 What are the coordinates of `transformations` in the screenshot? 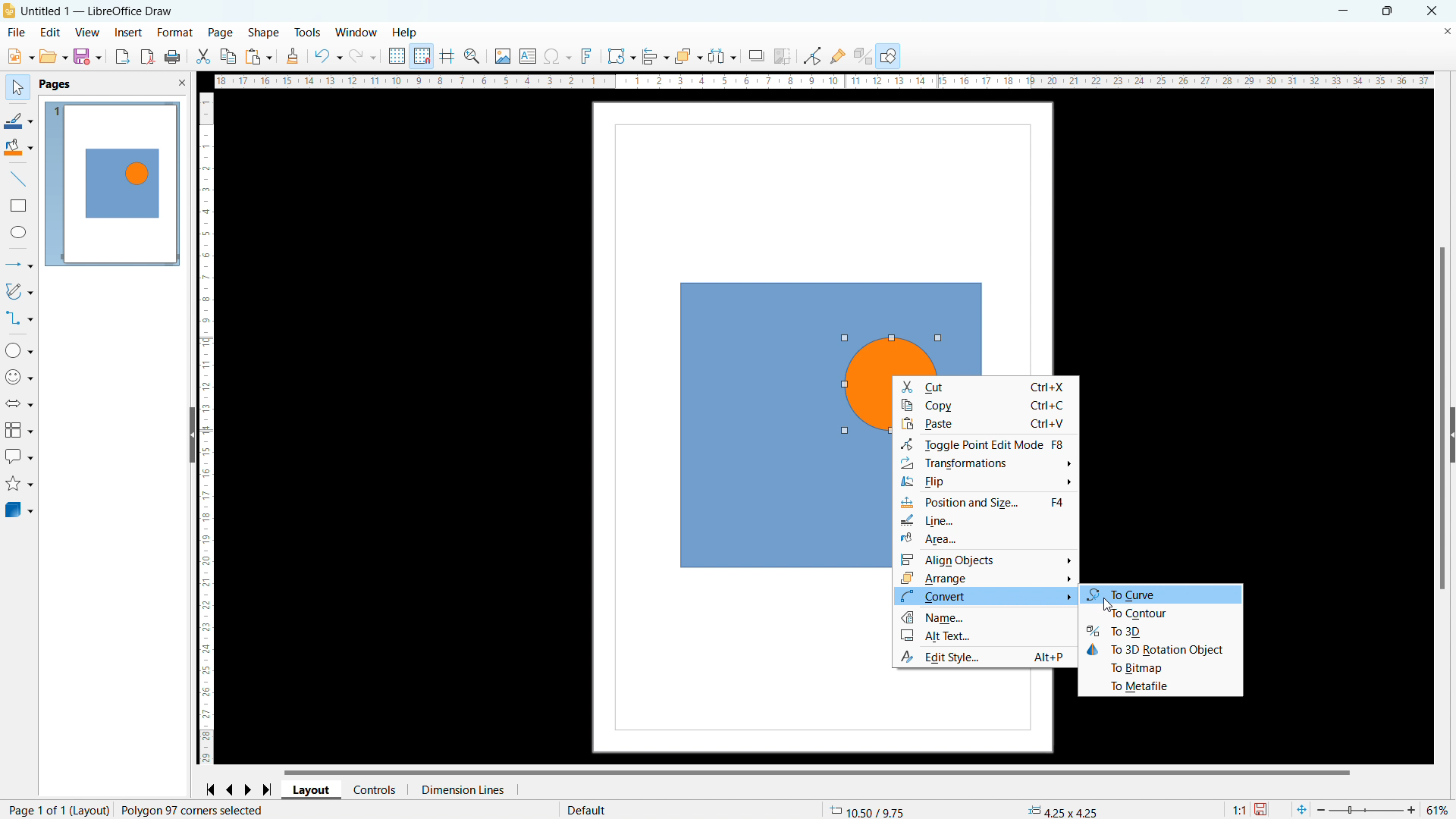 It's located at (620, 56).